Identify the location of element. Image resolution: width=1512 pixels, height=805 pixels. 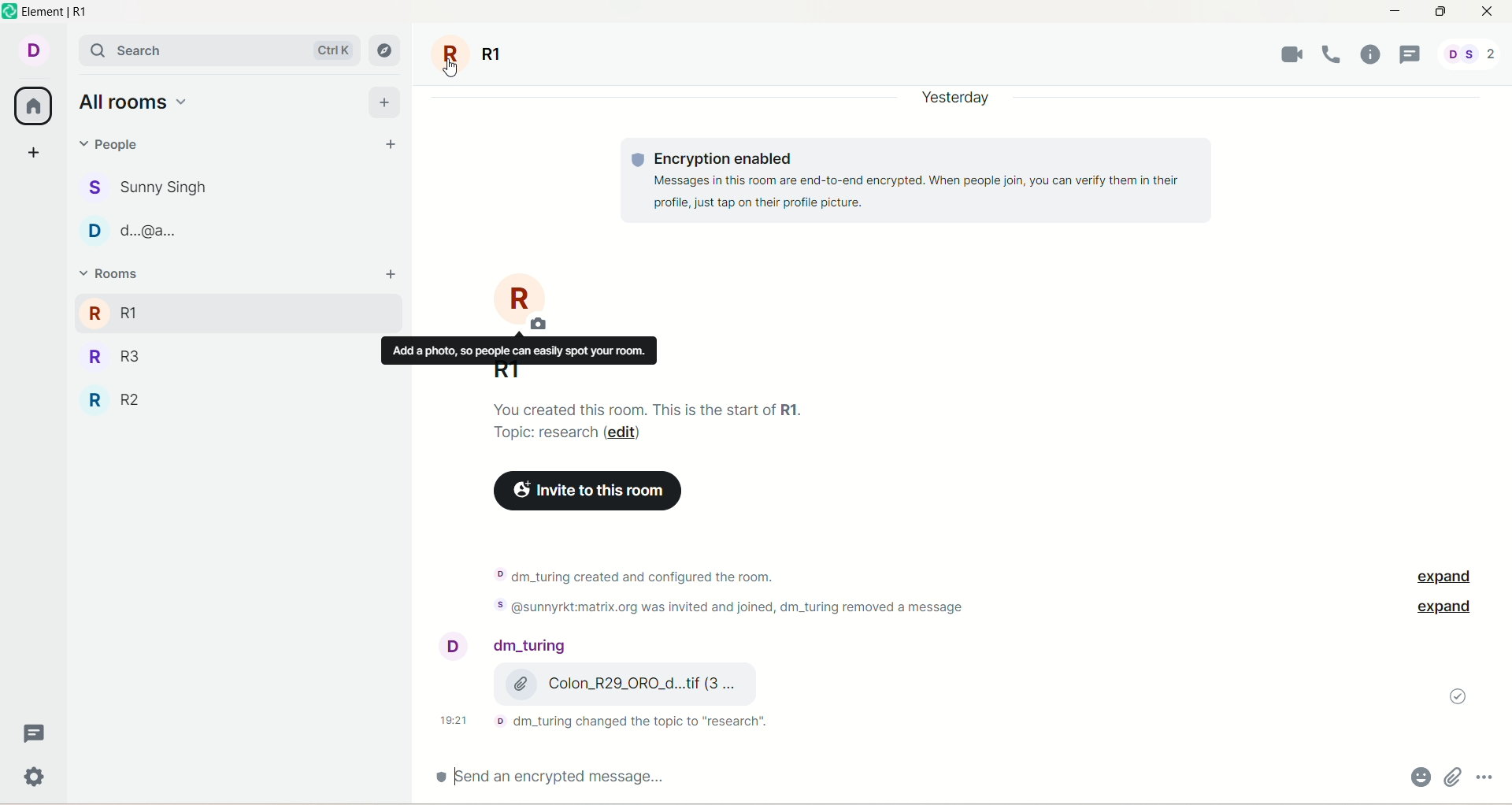
(72, 12).